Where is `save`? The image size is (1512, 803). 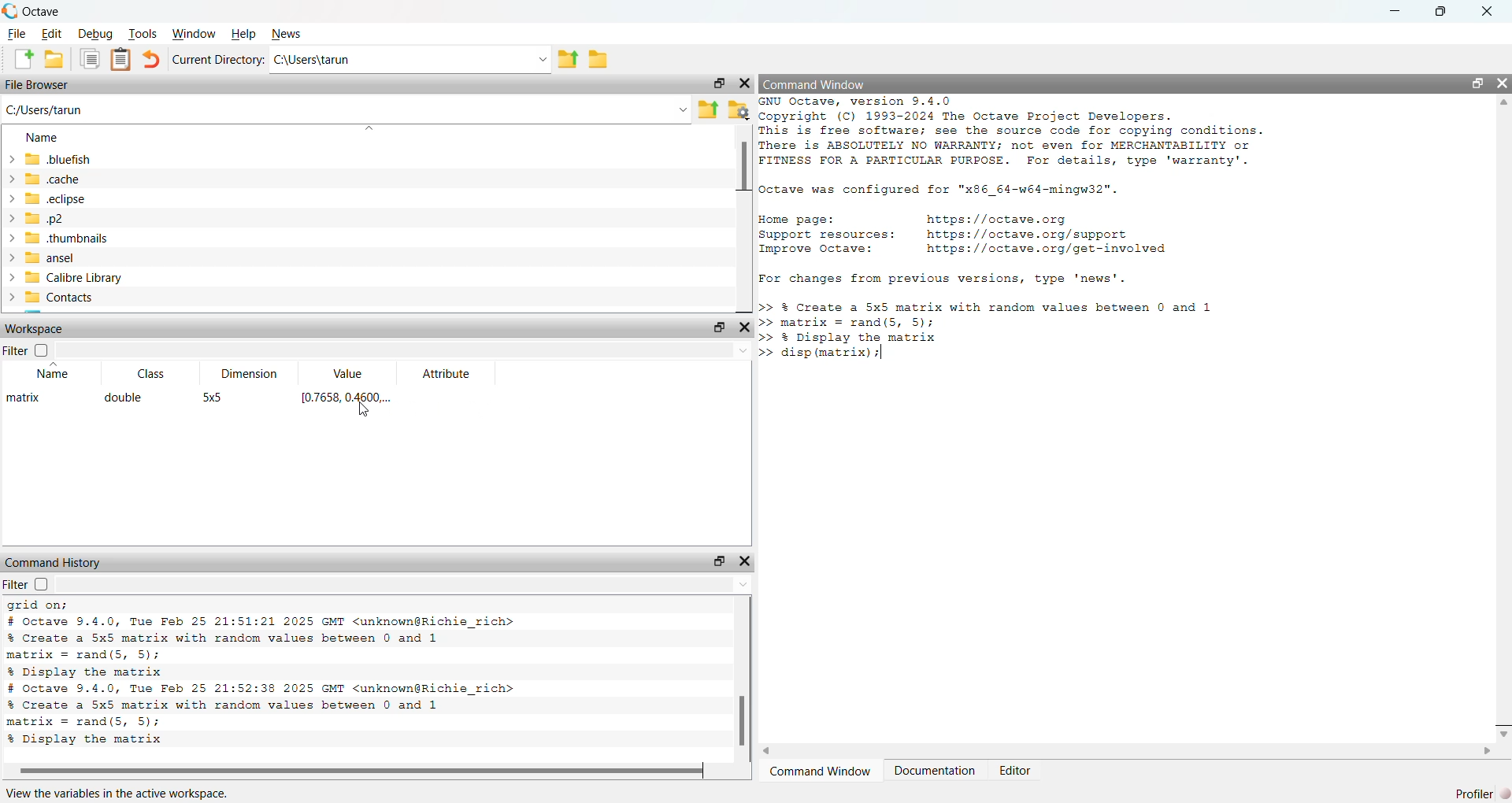
save is located at coordinates (54, 58).